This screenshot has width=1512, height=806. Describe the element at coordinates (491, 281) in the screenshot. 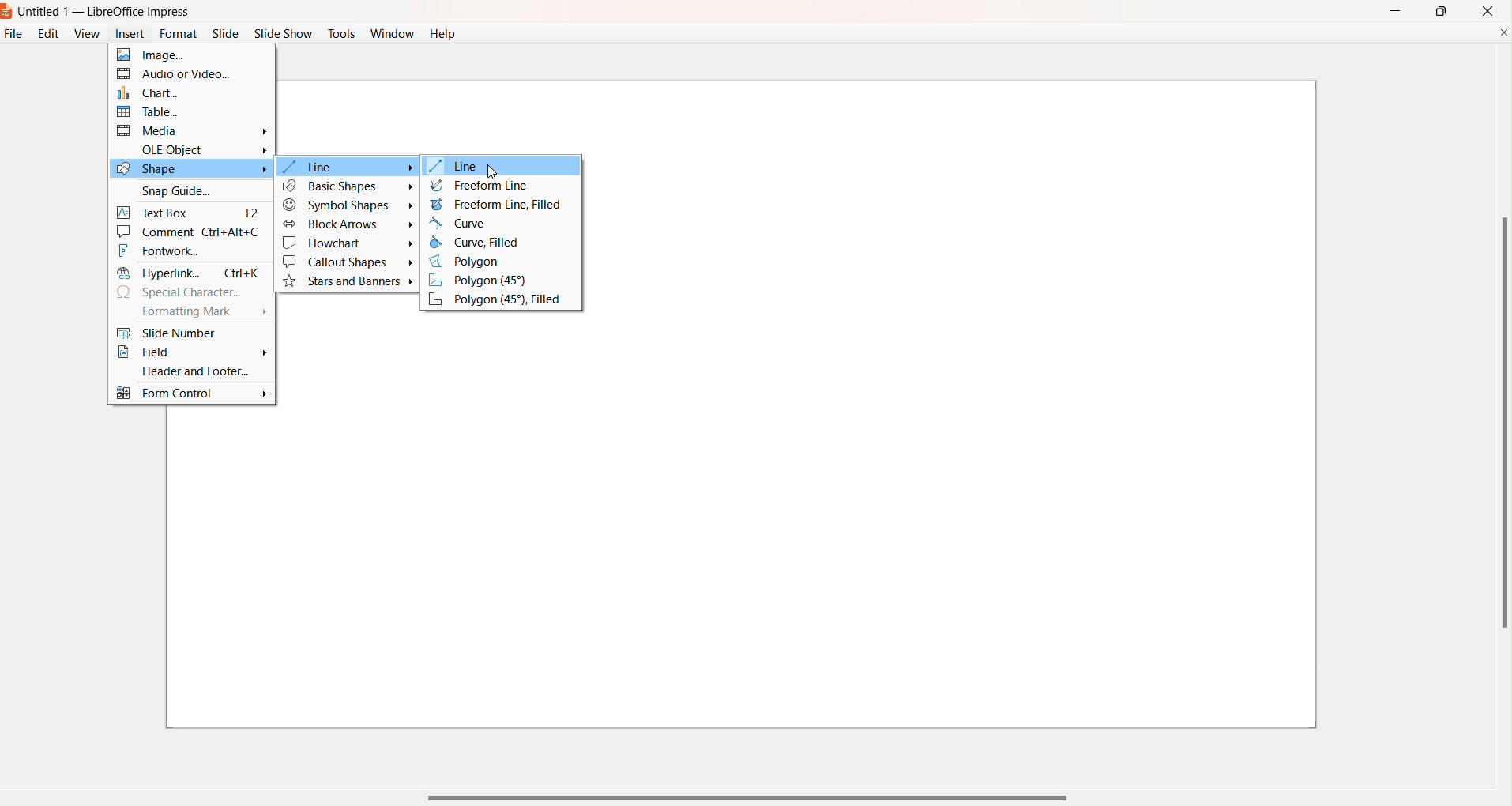

I see `Polygon (45) Degree` at that location.